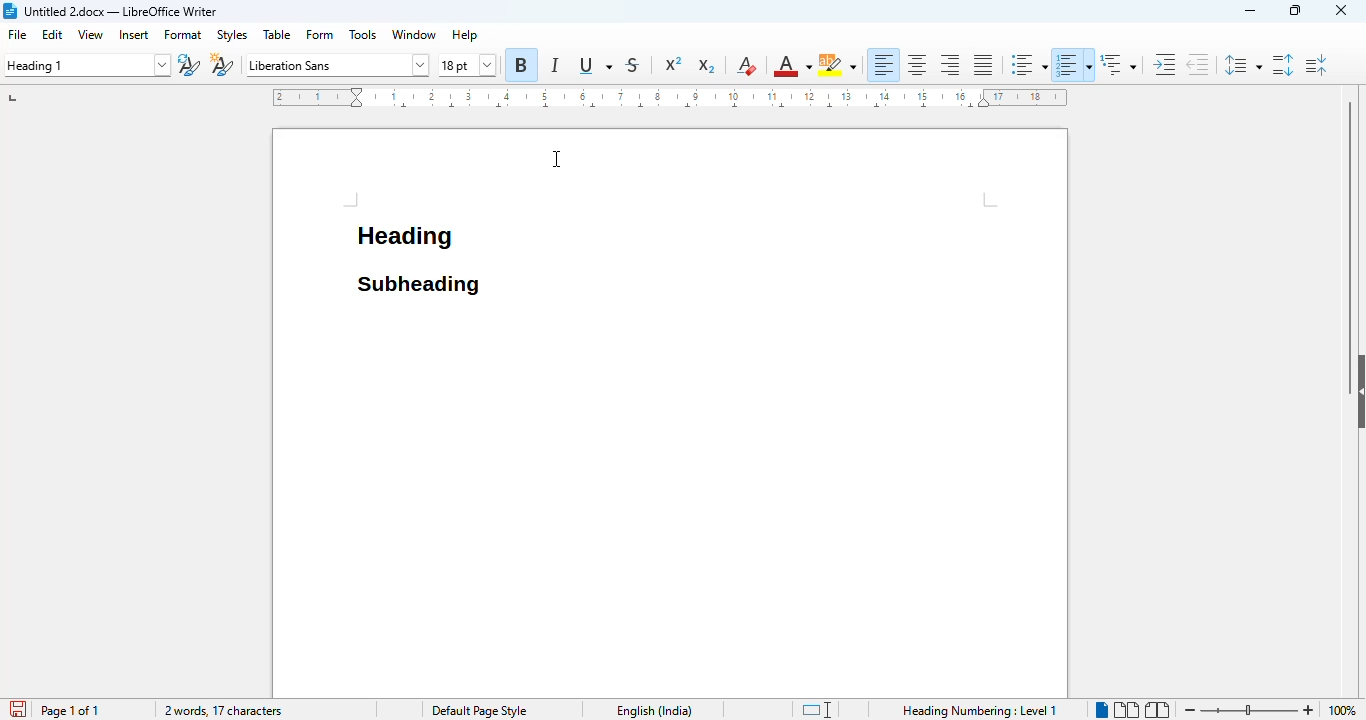 The width and height of the screenshot is (1366, 720). What do you see at coordinates (654, 711) in the screenshot?
I see `text language` at bounding box center [654, 711].